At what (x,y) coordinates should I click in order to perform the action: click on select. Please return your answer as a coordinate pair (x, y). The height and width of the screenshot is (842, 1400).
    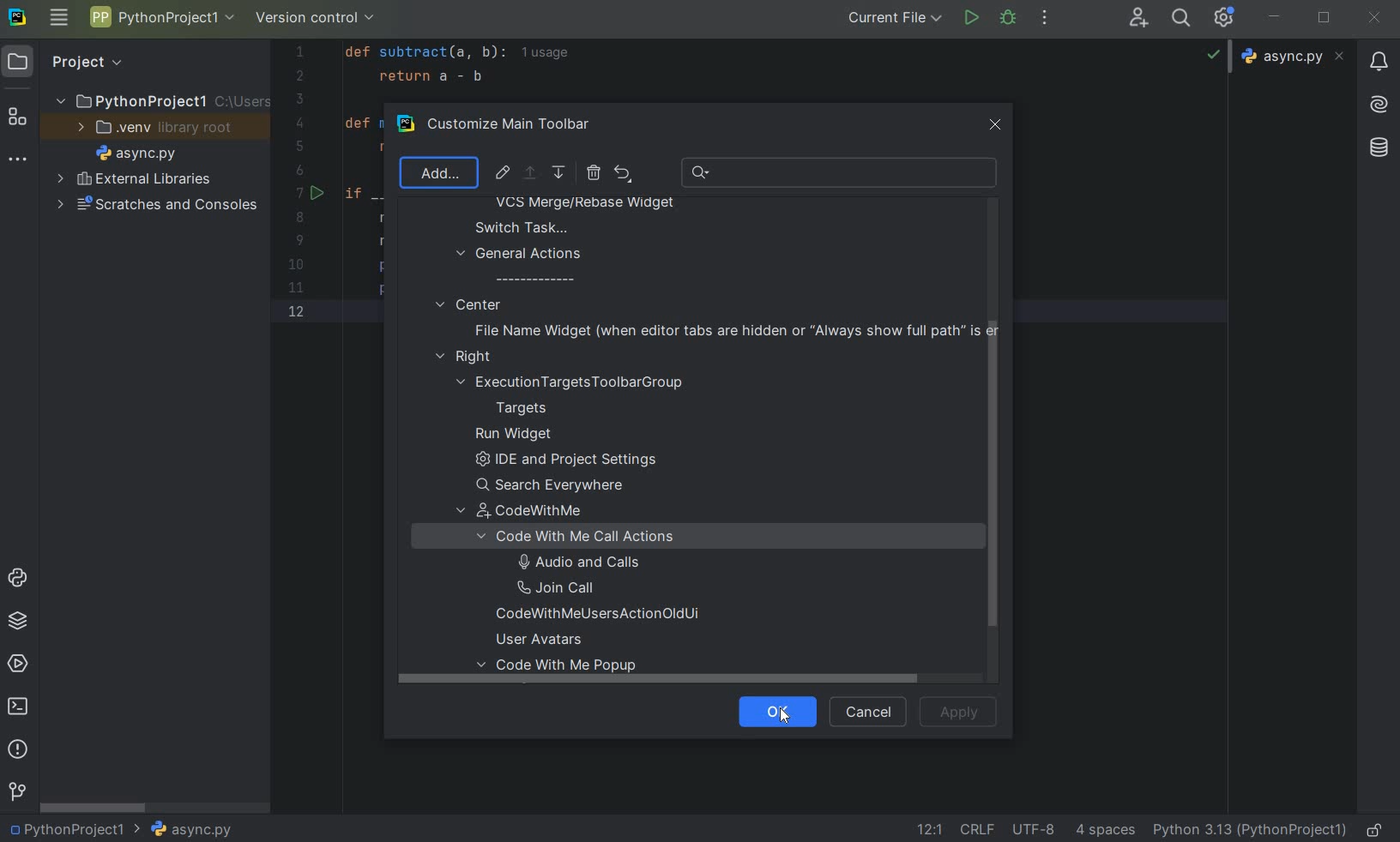
    Looking at the image, I should click on (532, 176).